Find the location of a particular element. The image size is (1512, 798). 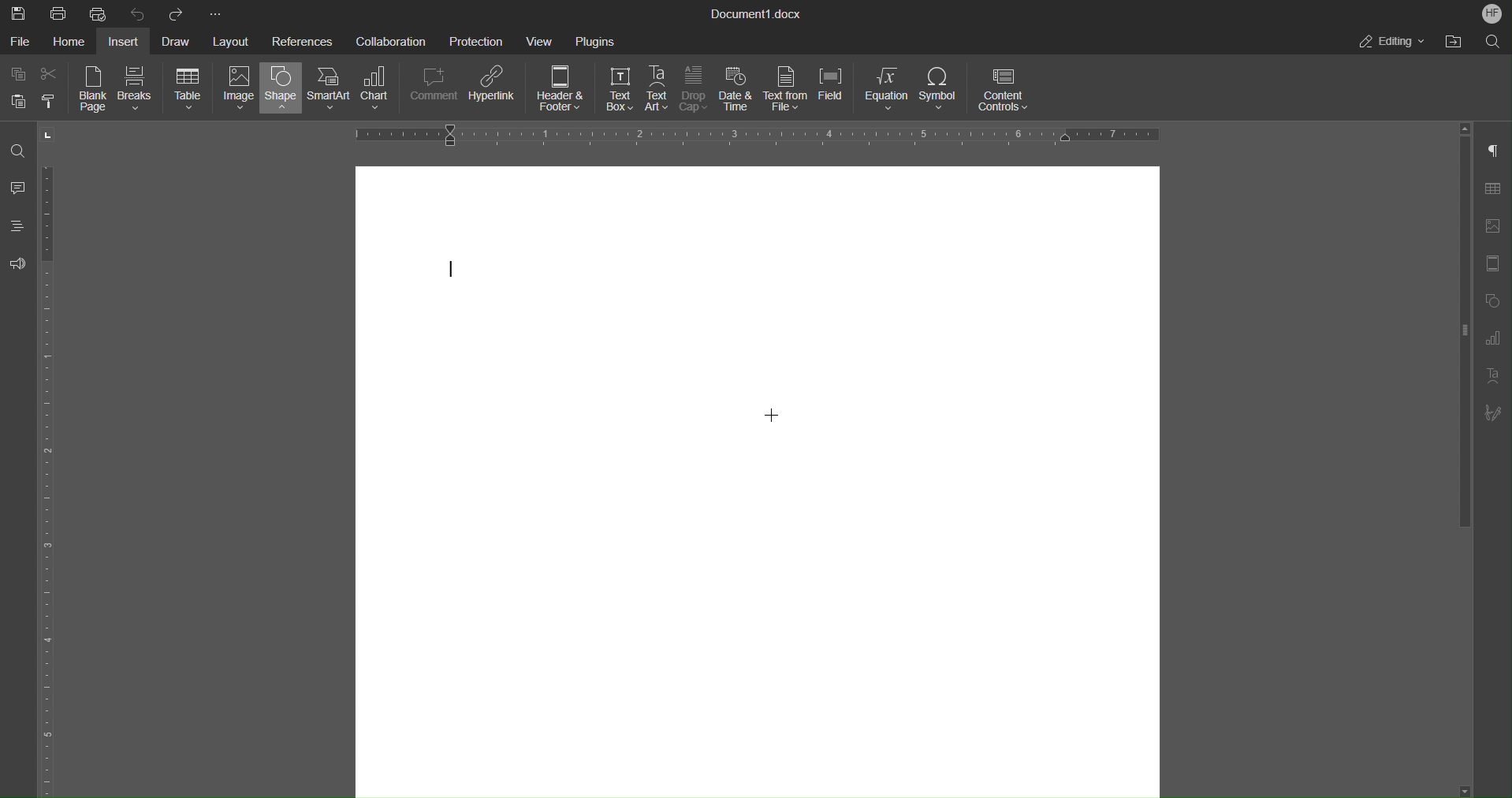

Scroll up is located at coordinates (1465, 127).